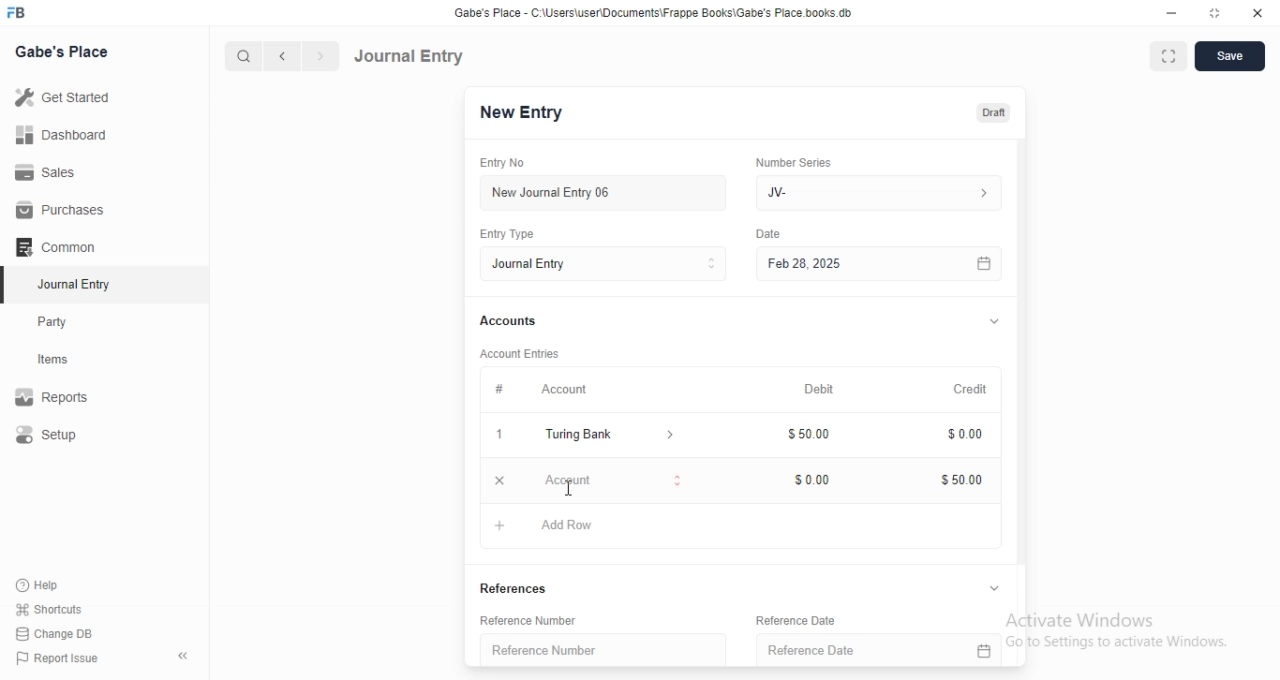 The width and height of the screenshot is (1280, 680). Describe the element at coordinates (528, 352) in the screenshot. I see `‘Account Entries.` at that location.